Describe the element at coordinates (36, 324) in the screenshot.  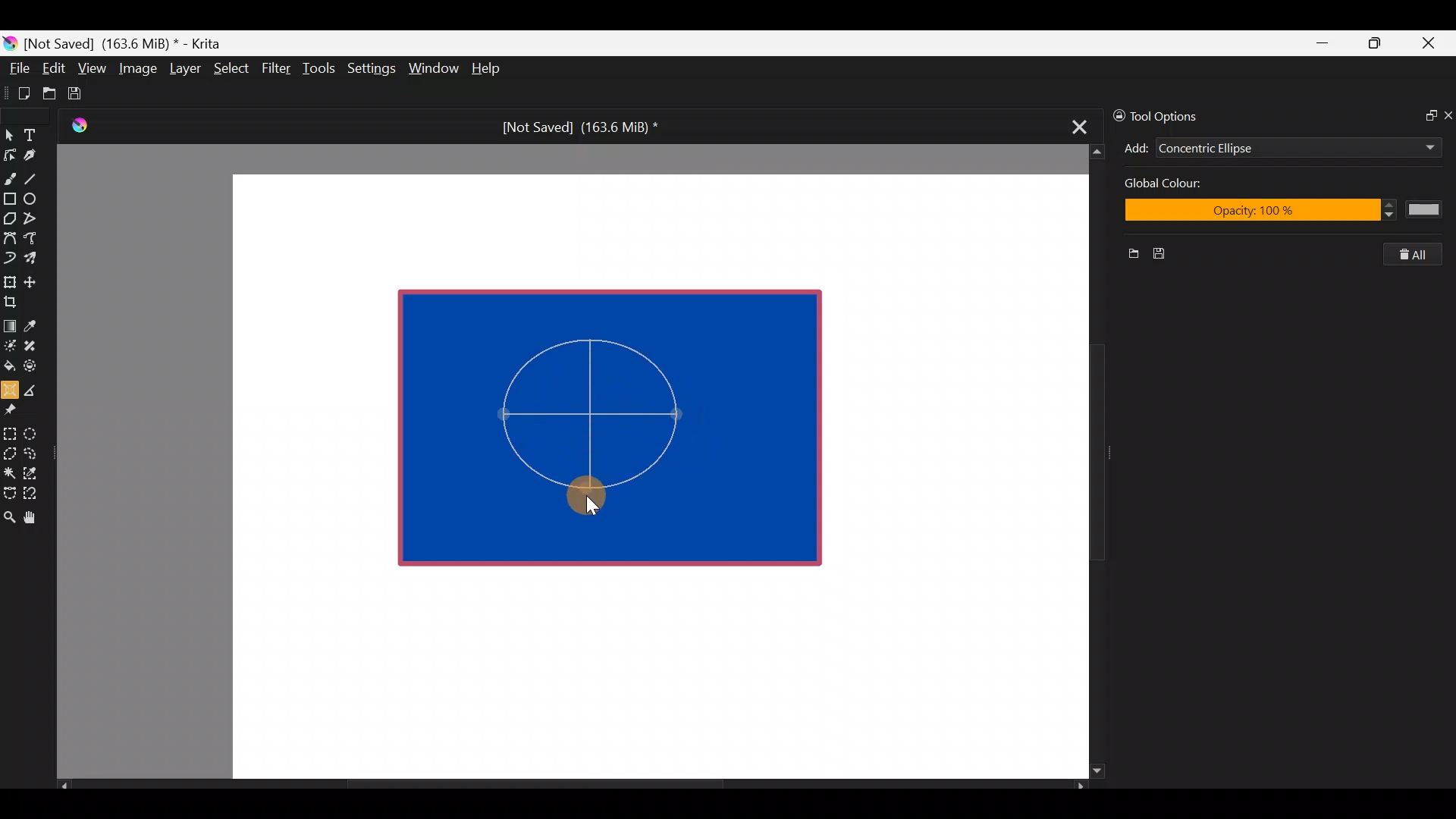
I see `Sample a colour from the image/current layer` at that location.